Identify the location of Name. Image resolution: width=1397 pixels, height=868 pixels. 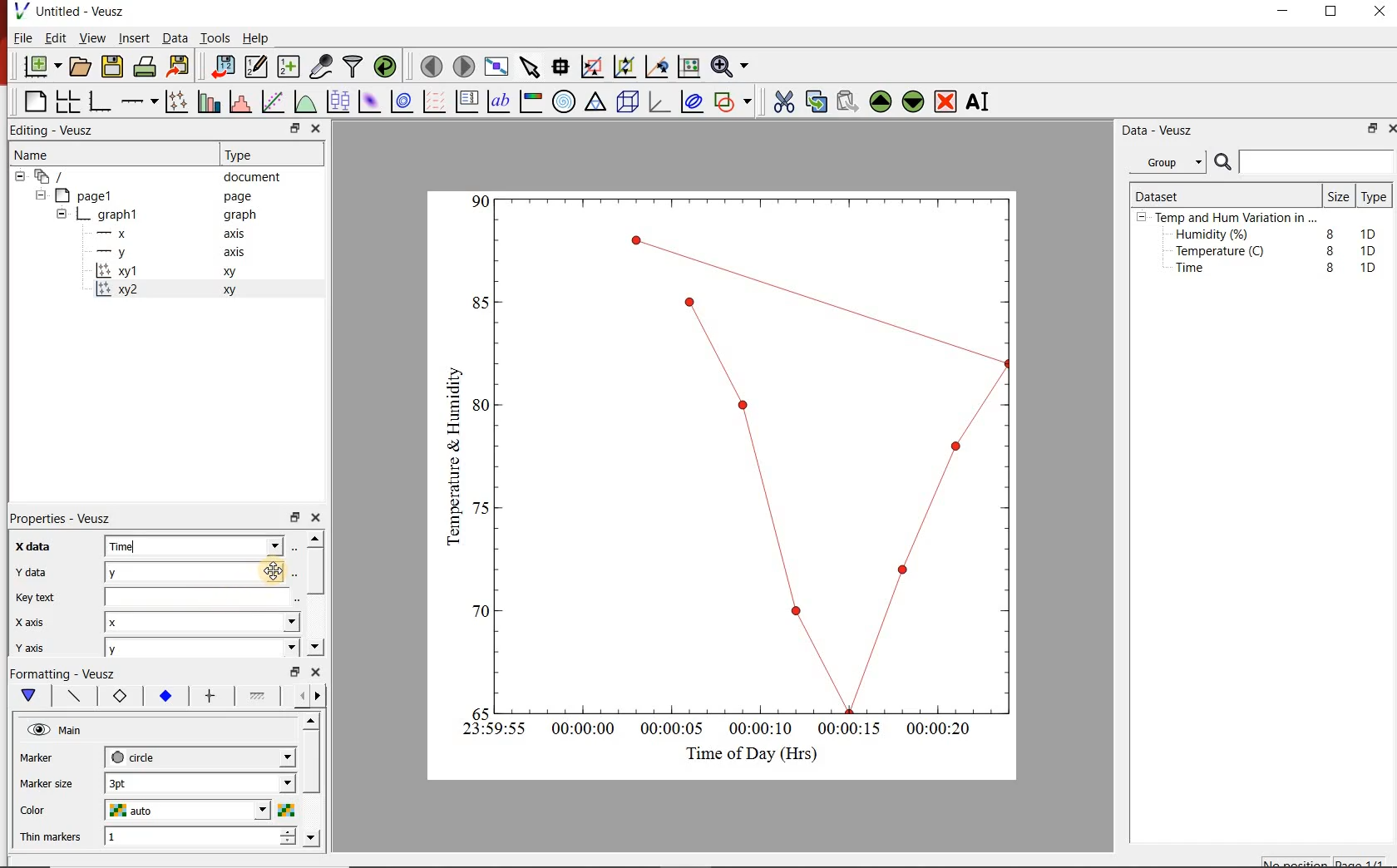
(47, 156).